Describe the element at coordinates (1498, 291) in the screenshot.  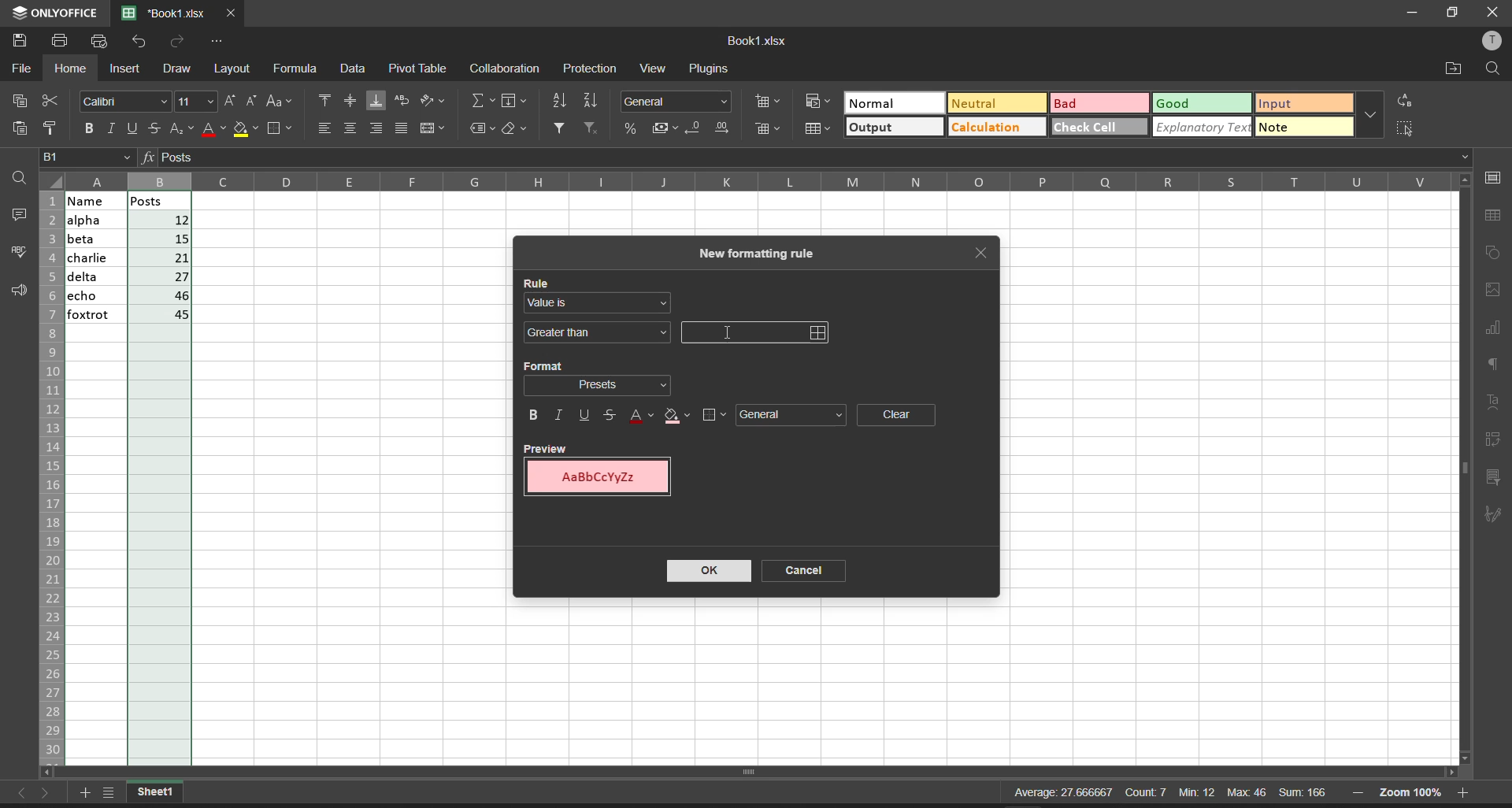
I see `image settings` at that location.